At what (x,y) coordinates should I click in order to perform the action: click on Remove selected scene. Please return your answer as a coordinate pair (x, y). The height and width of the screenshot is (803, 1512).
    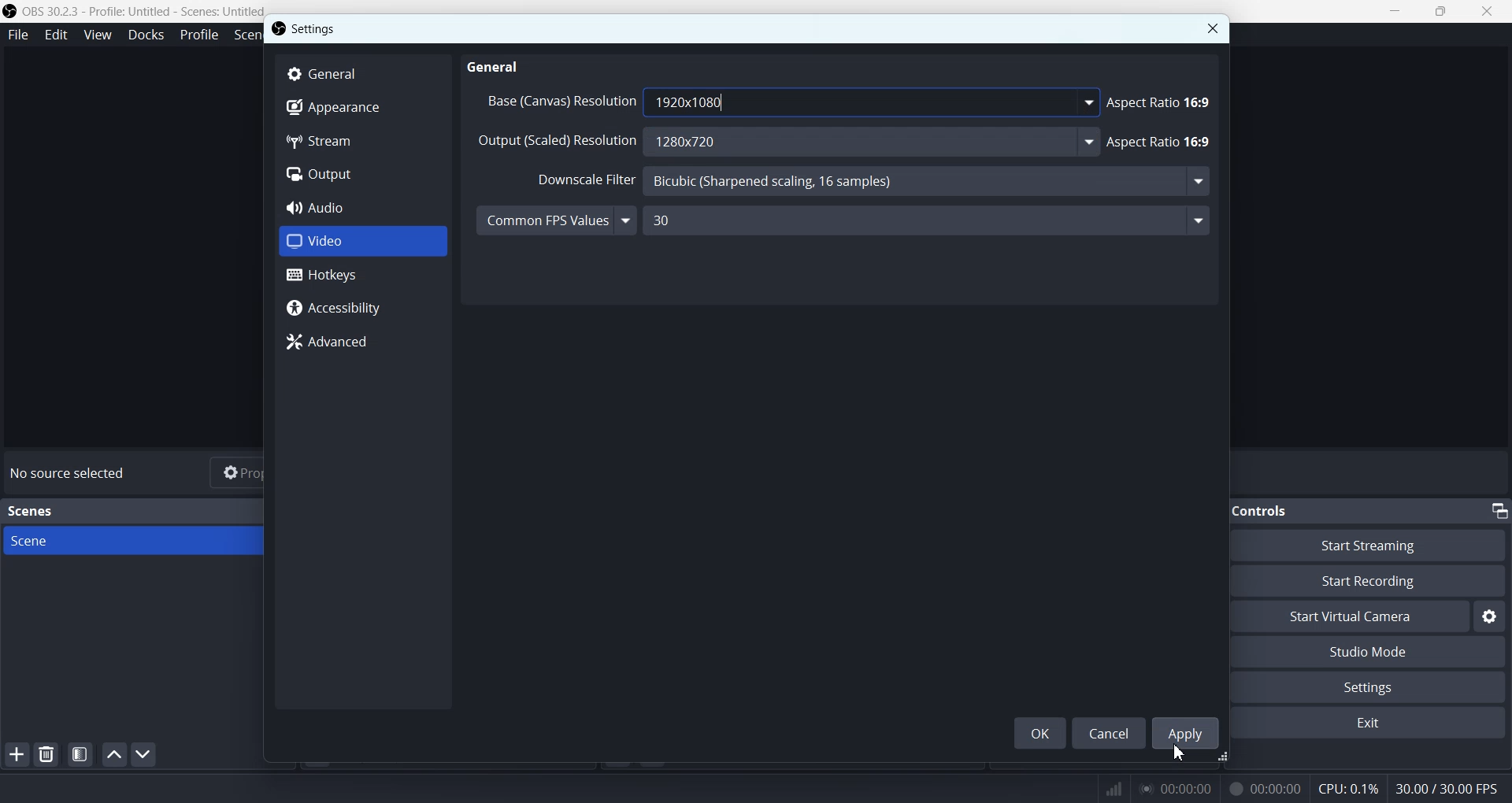
    Looking at the image, I should click on (46, 753).